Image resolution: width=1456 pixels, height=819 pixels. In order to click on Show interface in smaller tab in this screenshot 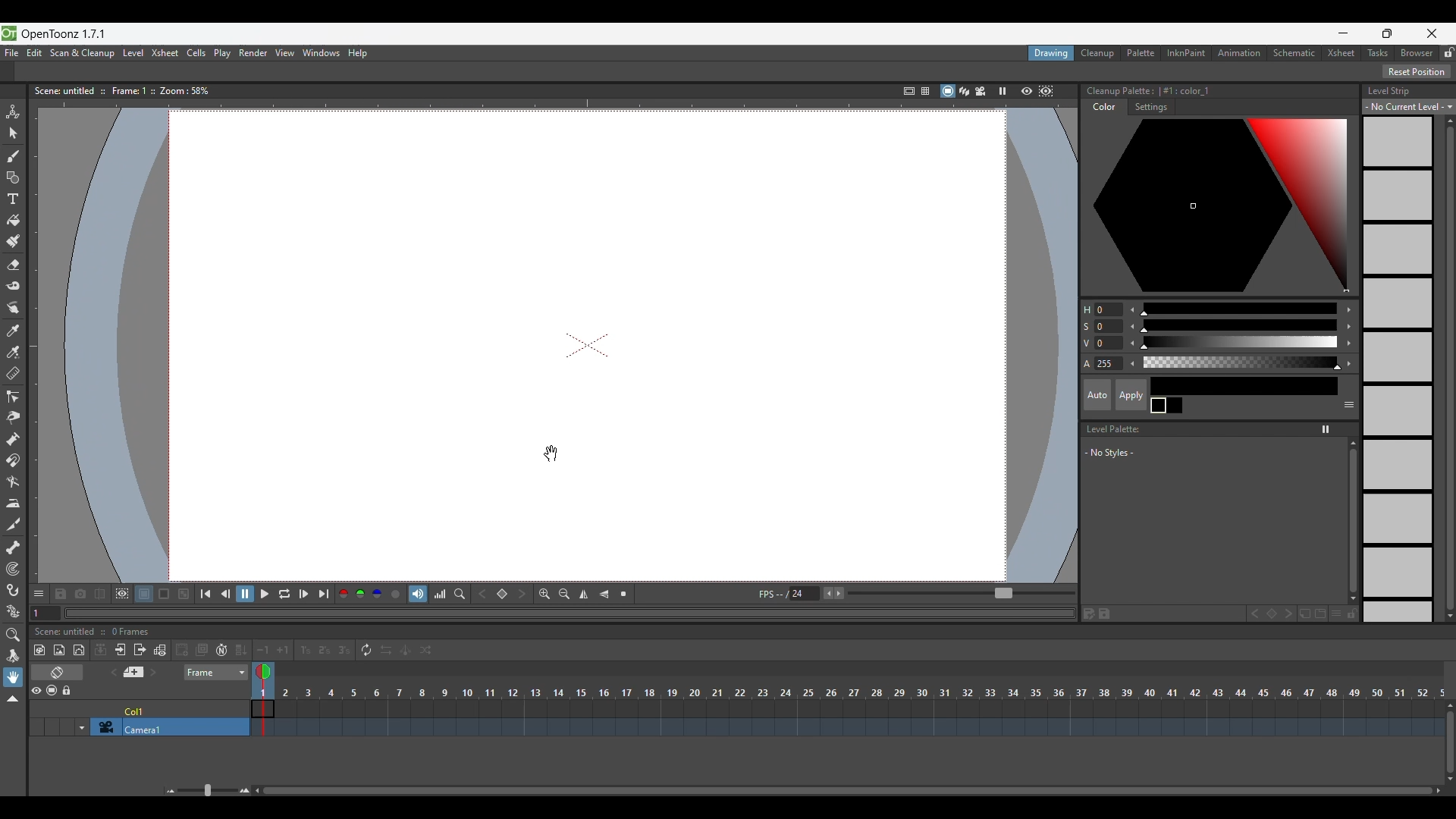, I will do `click(1387, 33)`.